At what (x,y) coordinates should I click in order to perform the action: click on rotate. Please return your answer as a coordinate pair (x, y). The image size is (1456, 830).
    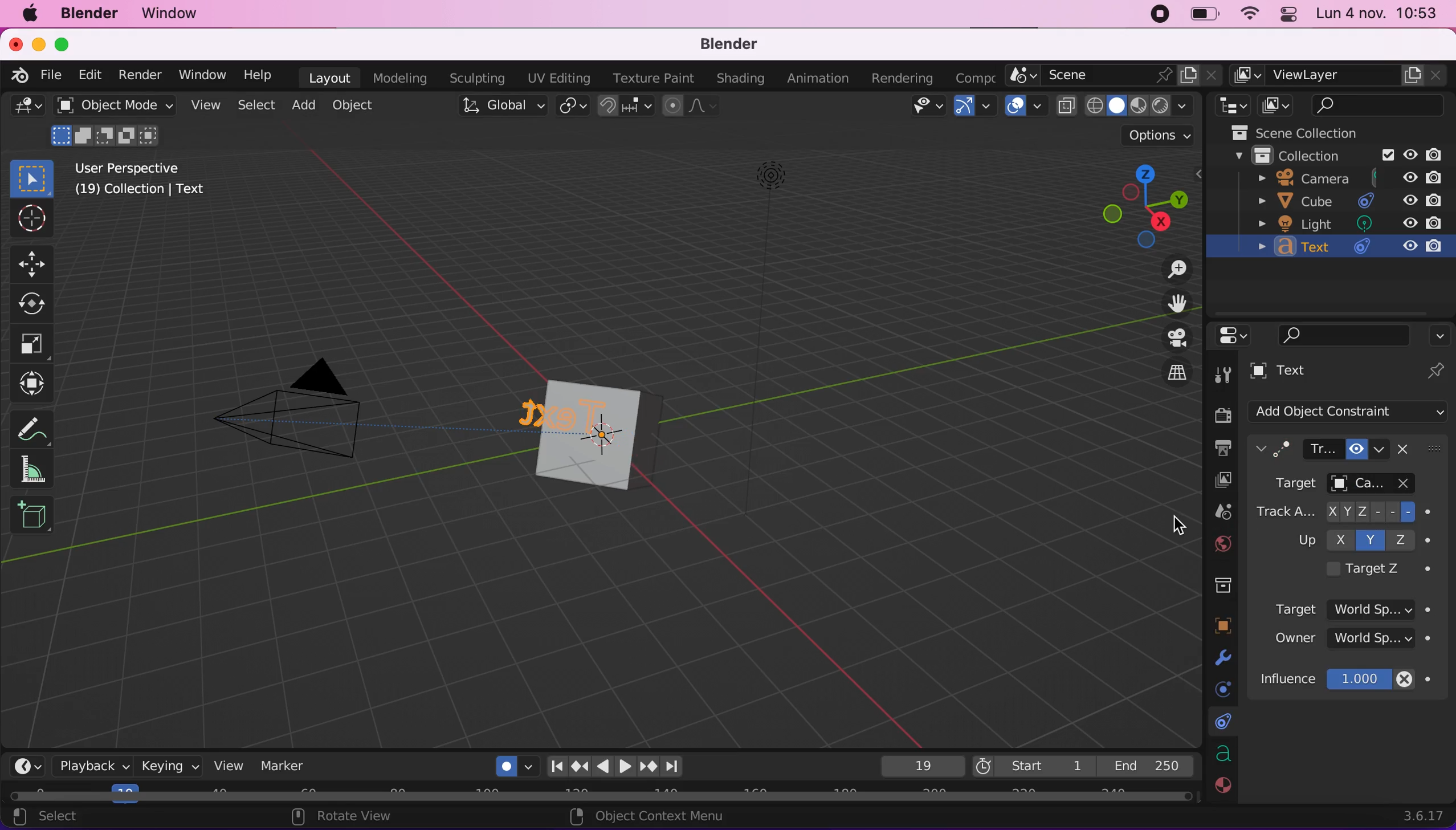
    Looking at the image, I should click on (32, 304).